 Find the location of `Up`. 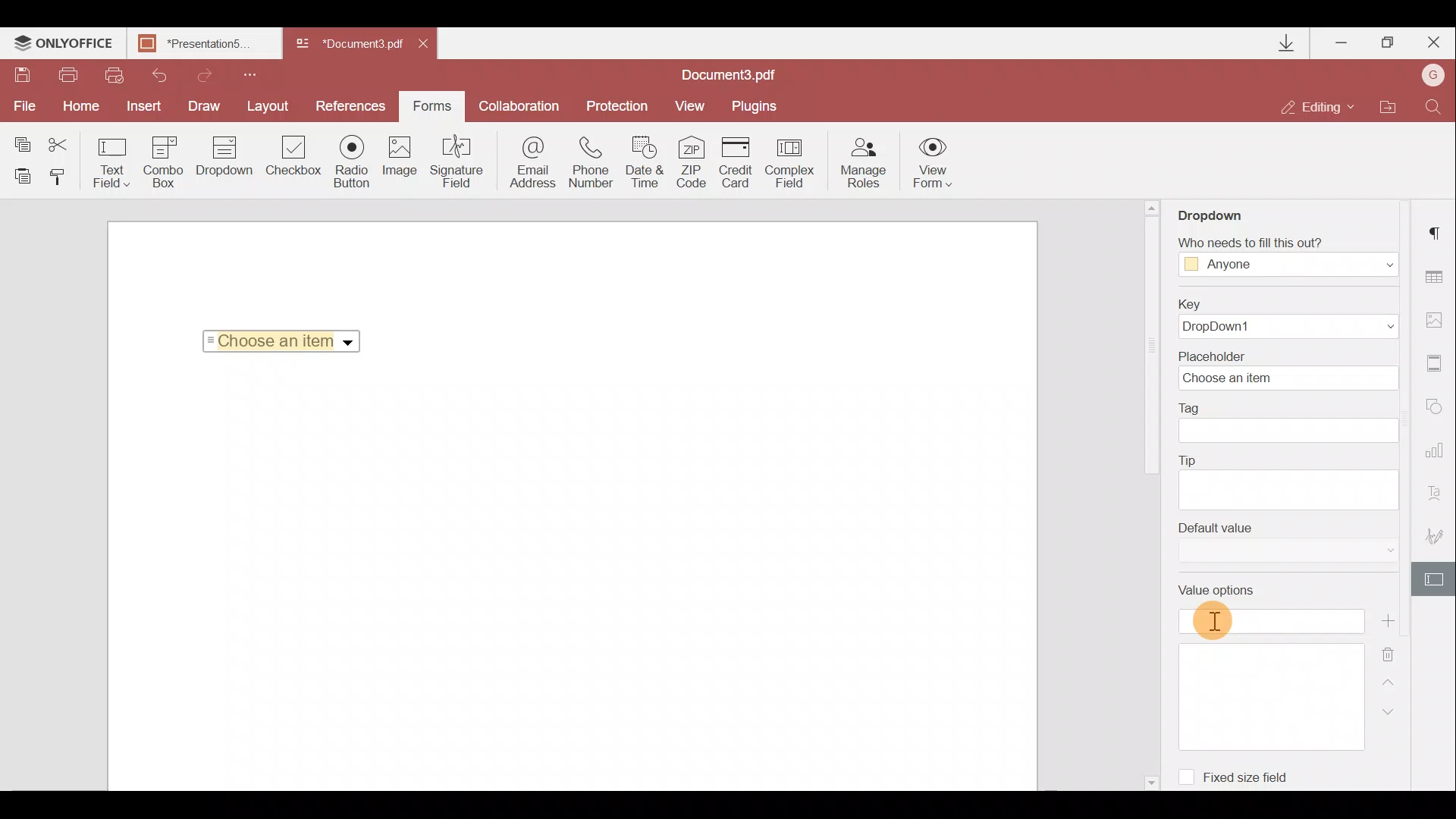

Up is located at coordinates (1392, 680).